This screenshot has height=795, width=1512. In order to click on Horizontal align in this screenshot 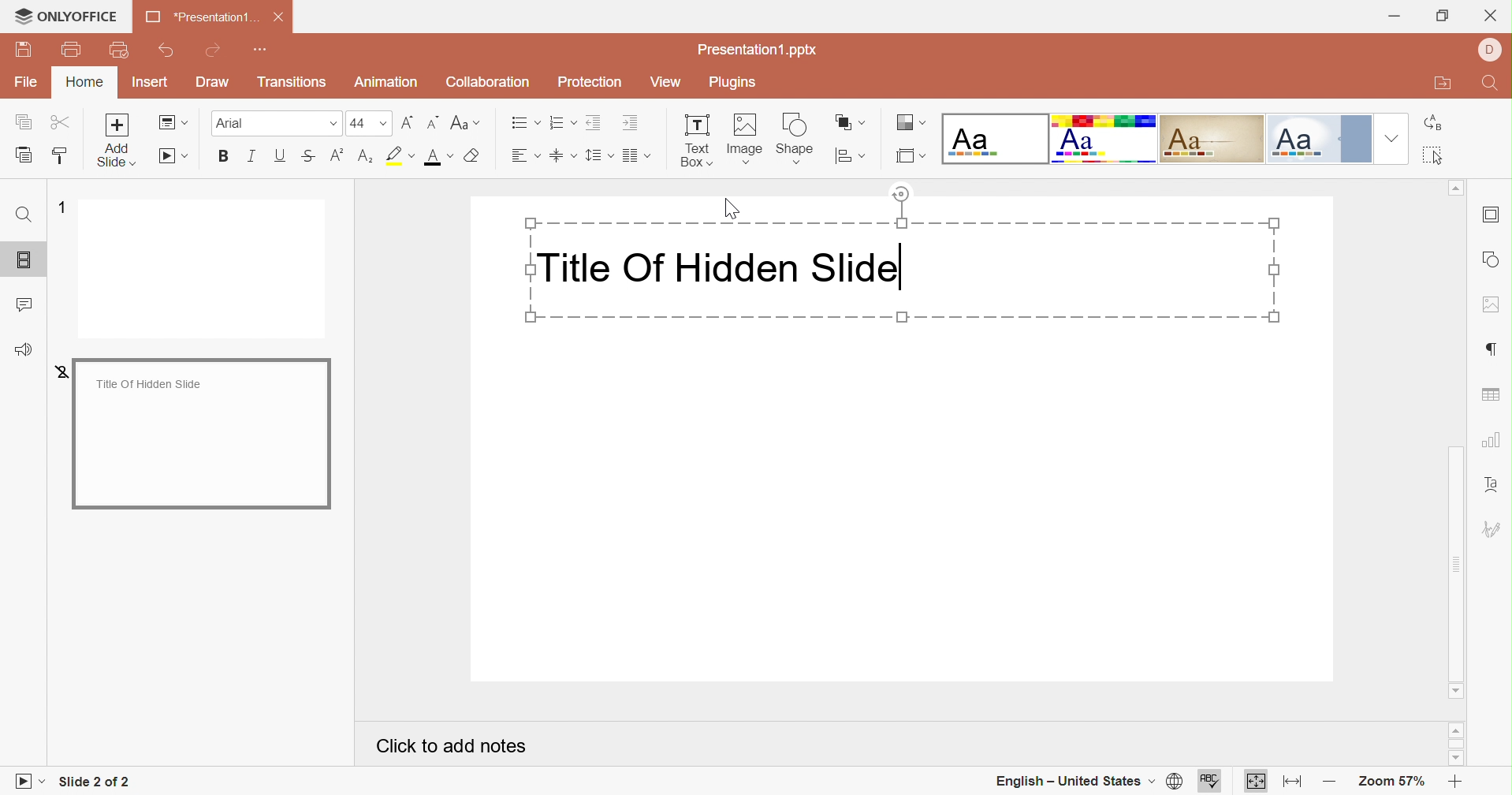, I will do `click(527, 155)`.